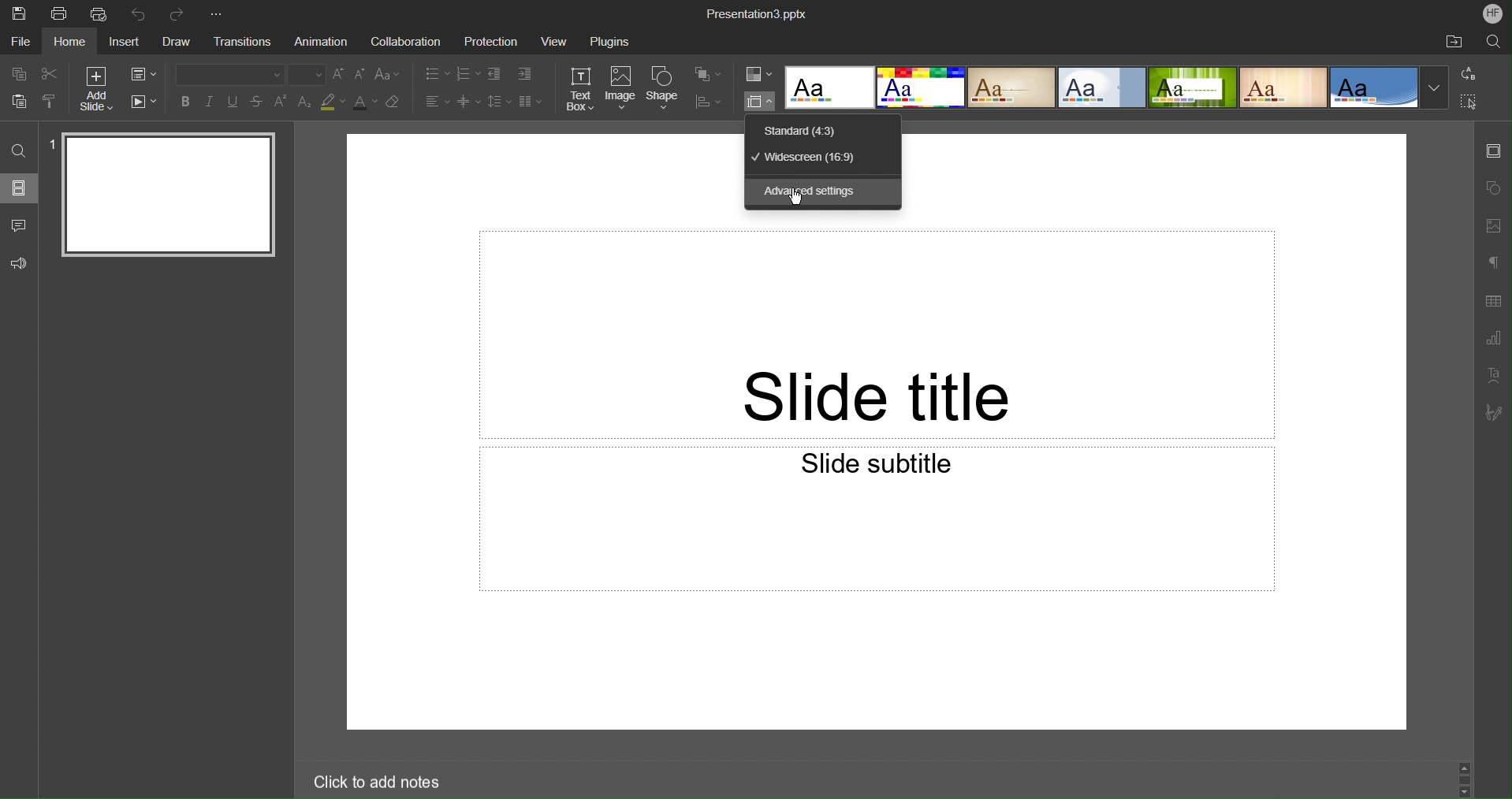 The height and width of the screenshot is (799, 1512). What do you see at coordinates (758, 75) in the screenshot?
I see `Change Color Themes` at bounding box center [758, 75].